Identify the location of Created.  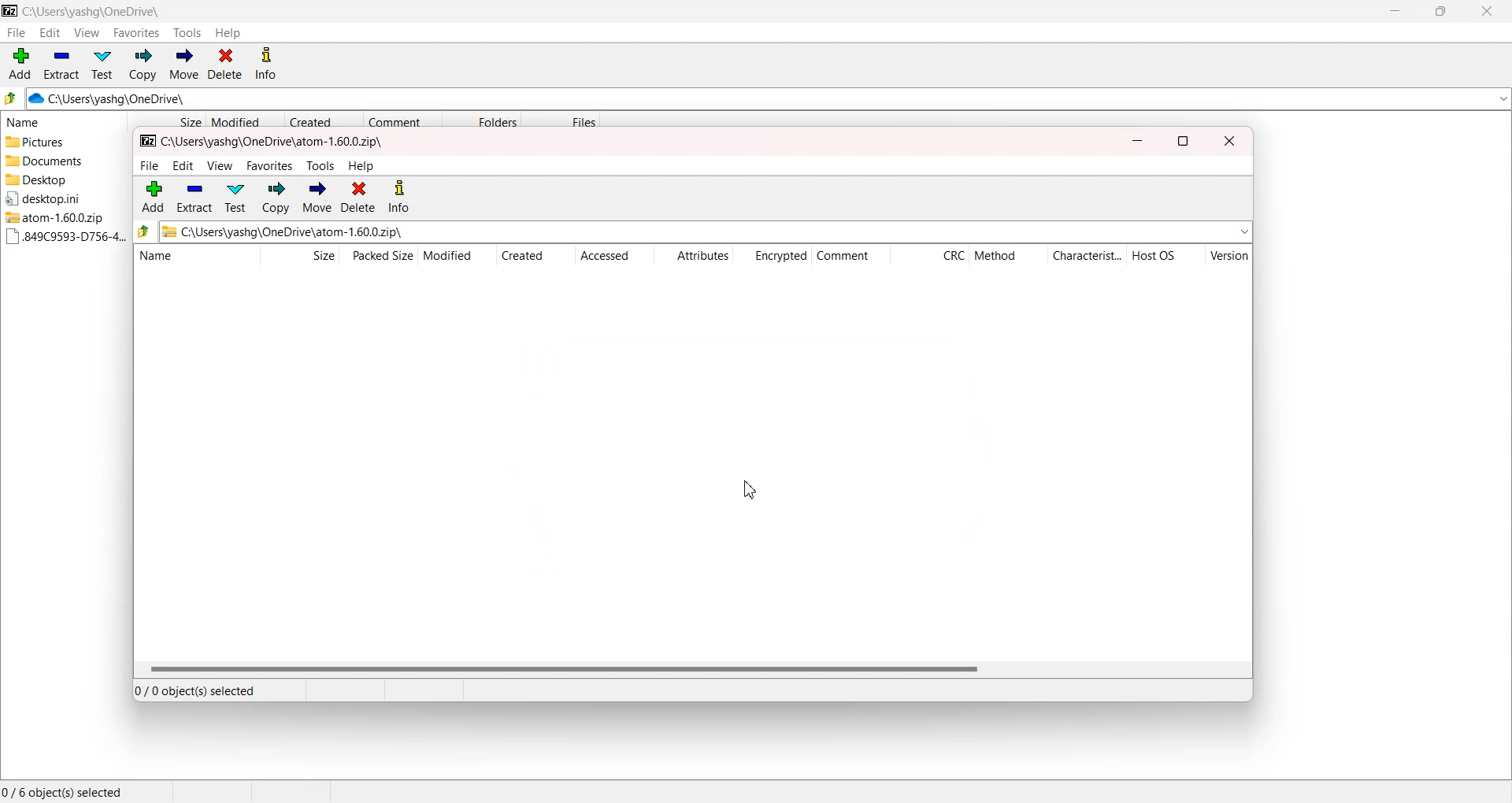
(535, 257).